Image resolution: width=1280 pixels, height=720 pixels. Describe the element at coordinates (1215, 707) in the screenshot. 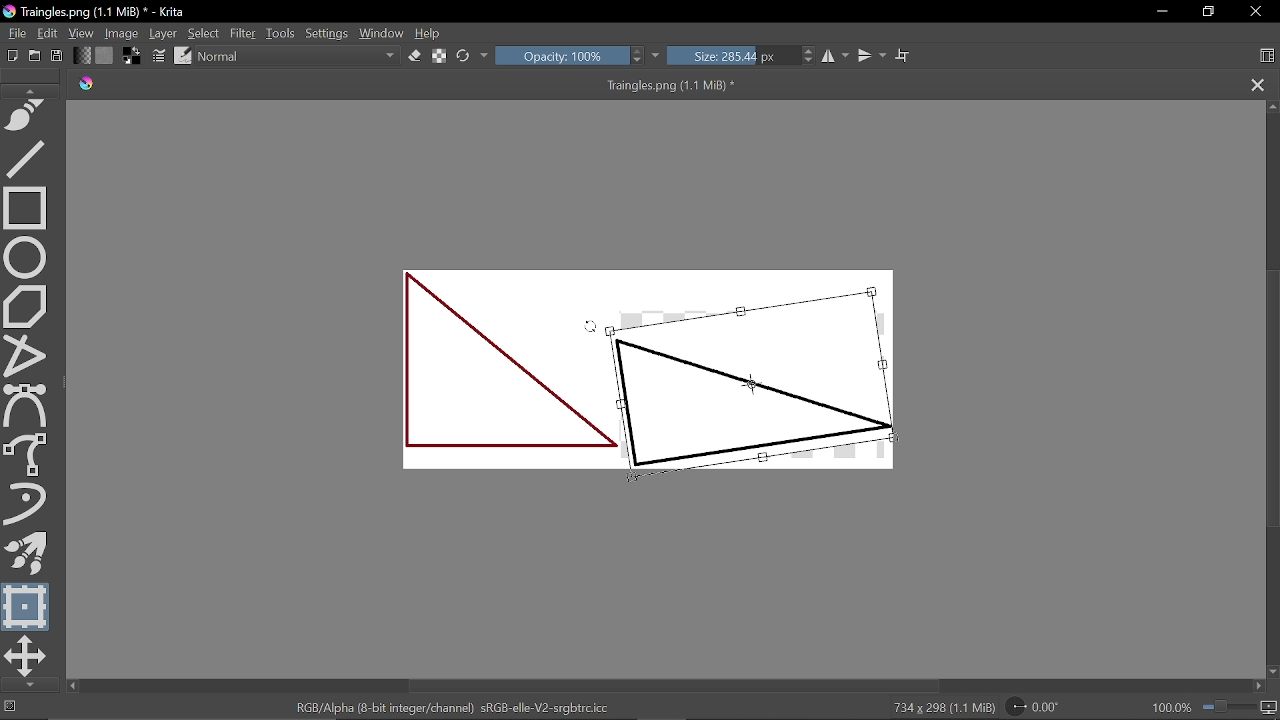

I see `100.0%` at that location.